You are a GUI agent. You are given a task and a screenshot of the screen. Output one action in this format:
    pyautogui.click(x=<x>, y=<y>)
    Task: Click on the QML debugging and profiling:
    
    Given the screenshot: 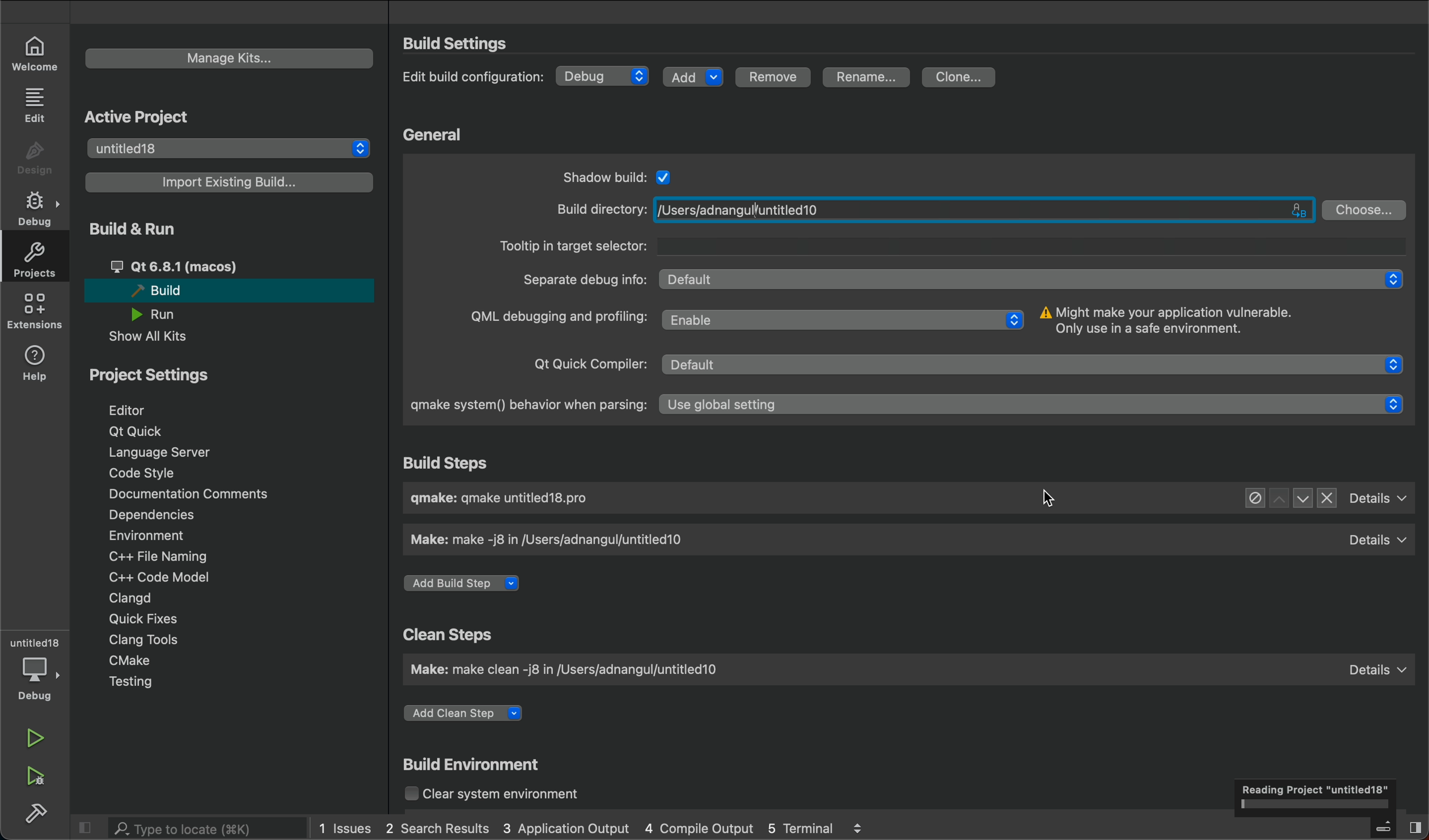 What is the action you would take?
    pyautogui.click(x=556, y=319)
    